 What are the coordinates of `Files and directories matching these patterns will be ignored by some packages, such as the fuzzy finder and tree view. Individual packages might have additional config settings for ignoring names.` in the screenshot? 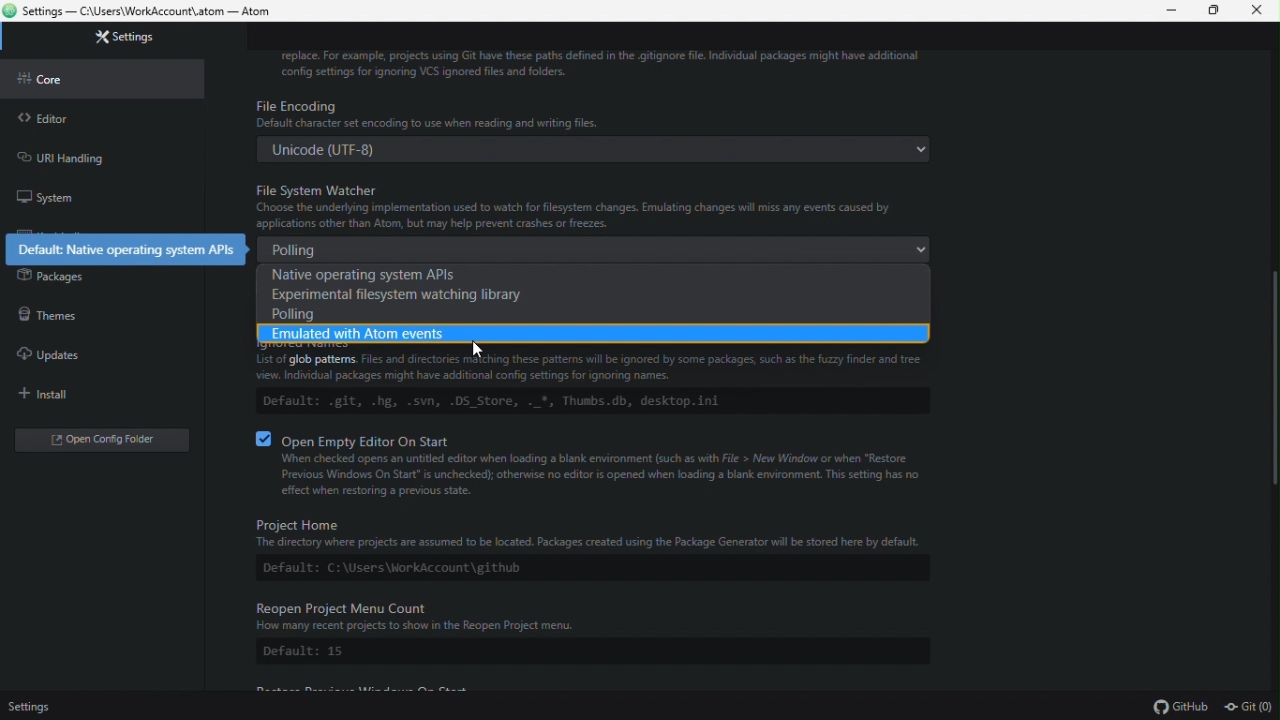 It's located at (593, 367).